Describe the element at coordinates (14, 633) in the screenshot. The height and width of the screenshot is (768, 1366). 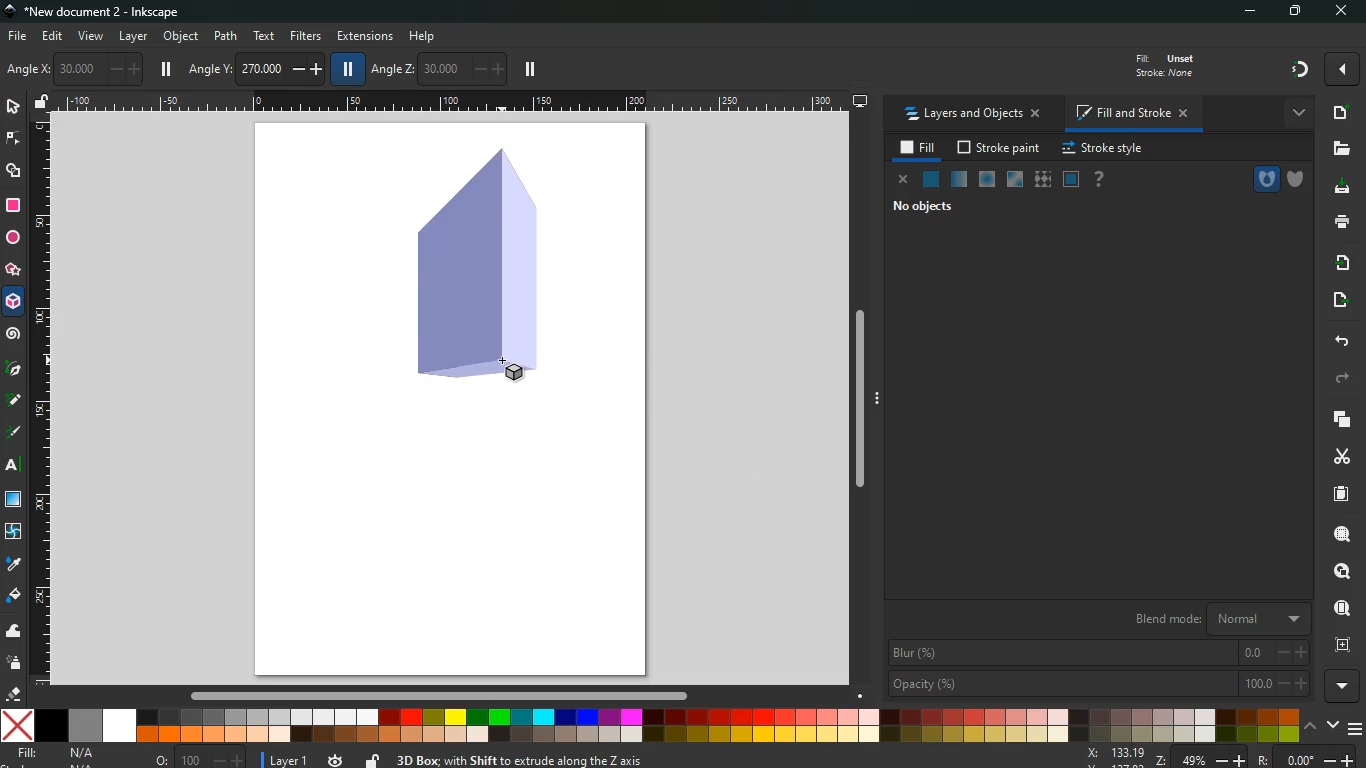
I see `wave` at that location.